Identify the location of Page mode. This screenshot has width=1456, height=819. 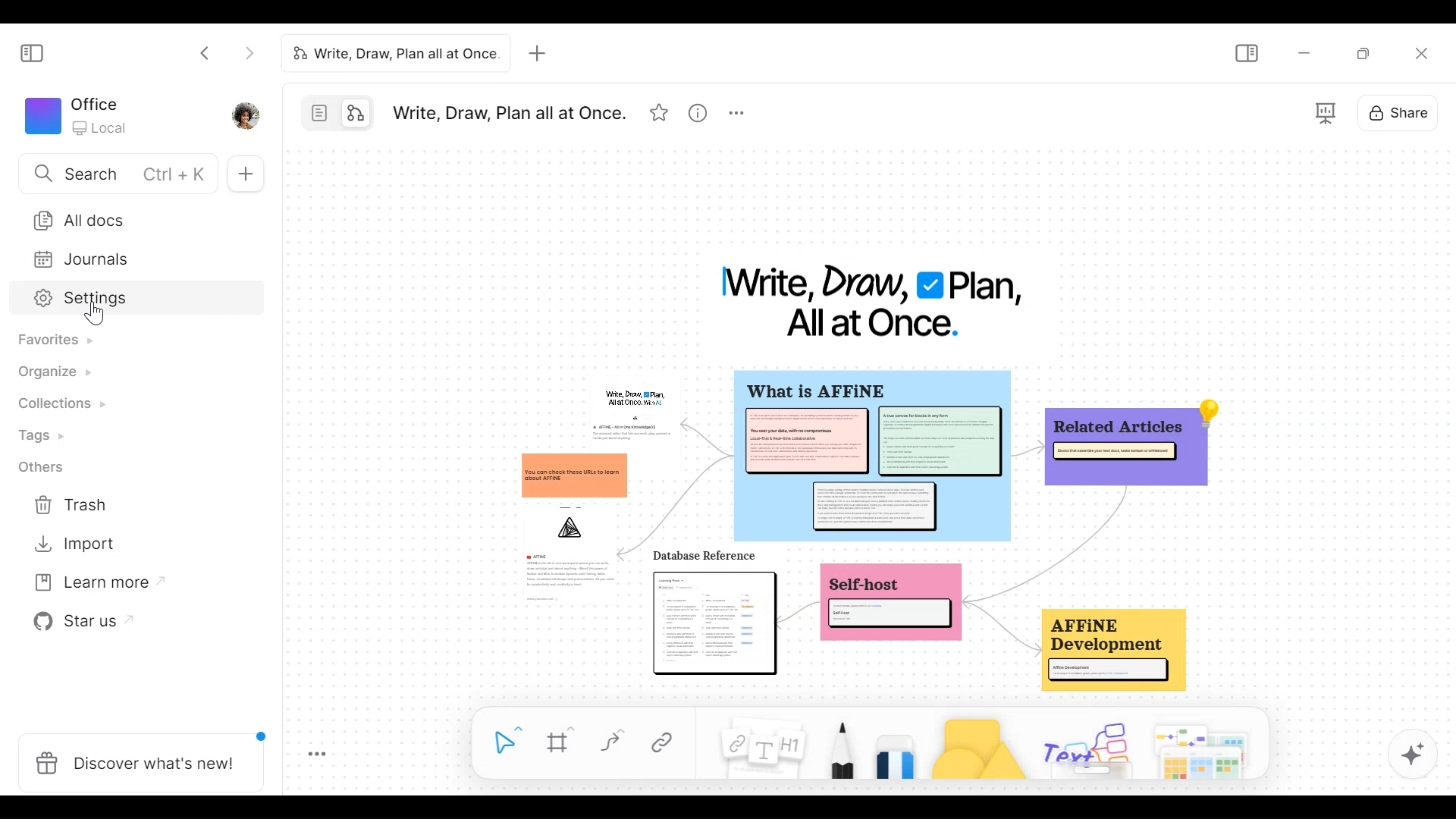
(319, 112).